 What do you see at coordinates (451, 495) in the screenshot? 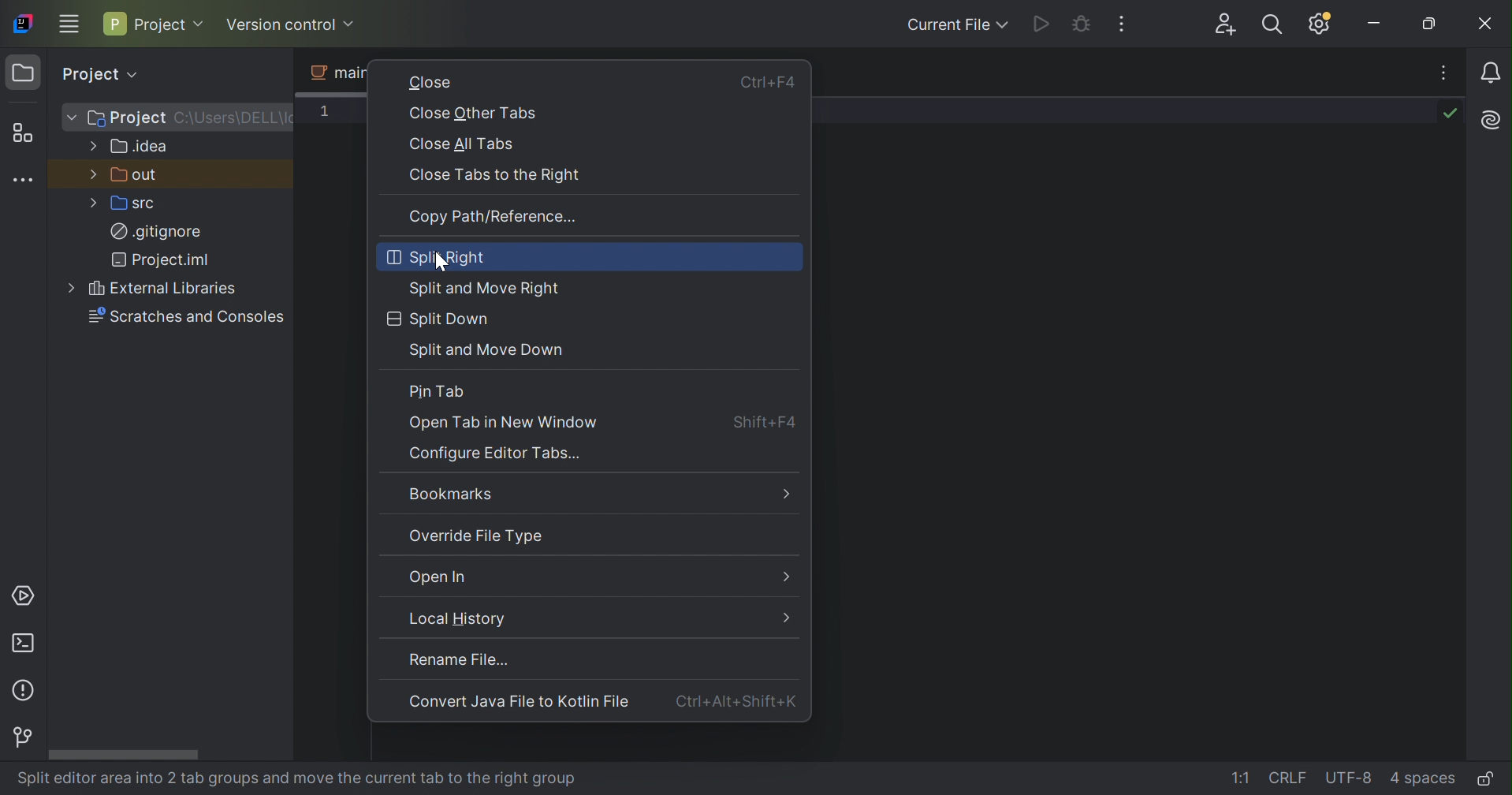
I see `Bookmarks` at bounding box center [451, 495].